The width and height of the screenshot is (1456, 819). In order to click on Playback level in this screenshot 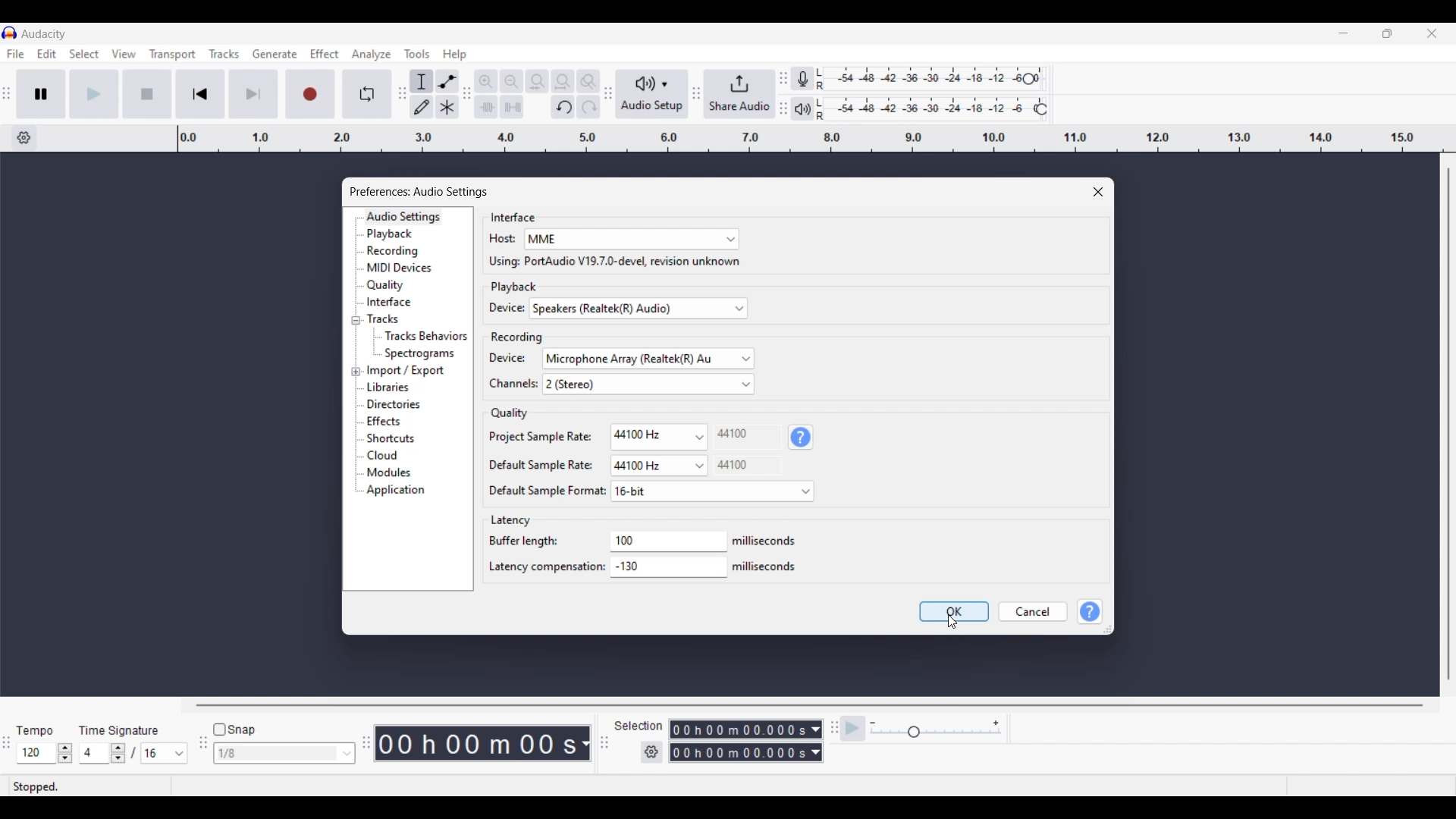, I will do `click(935, 109)`.